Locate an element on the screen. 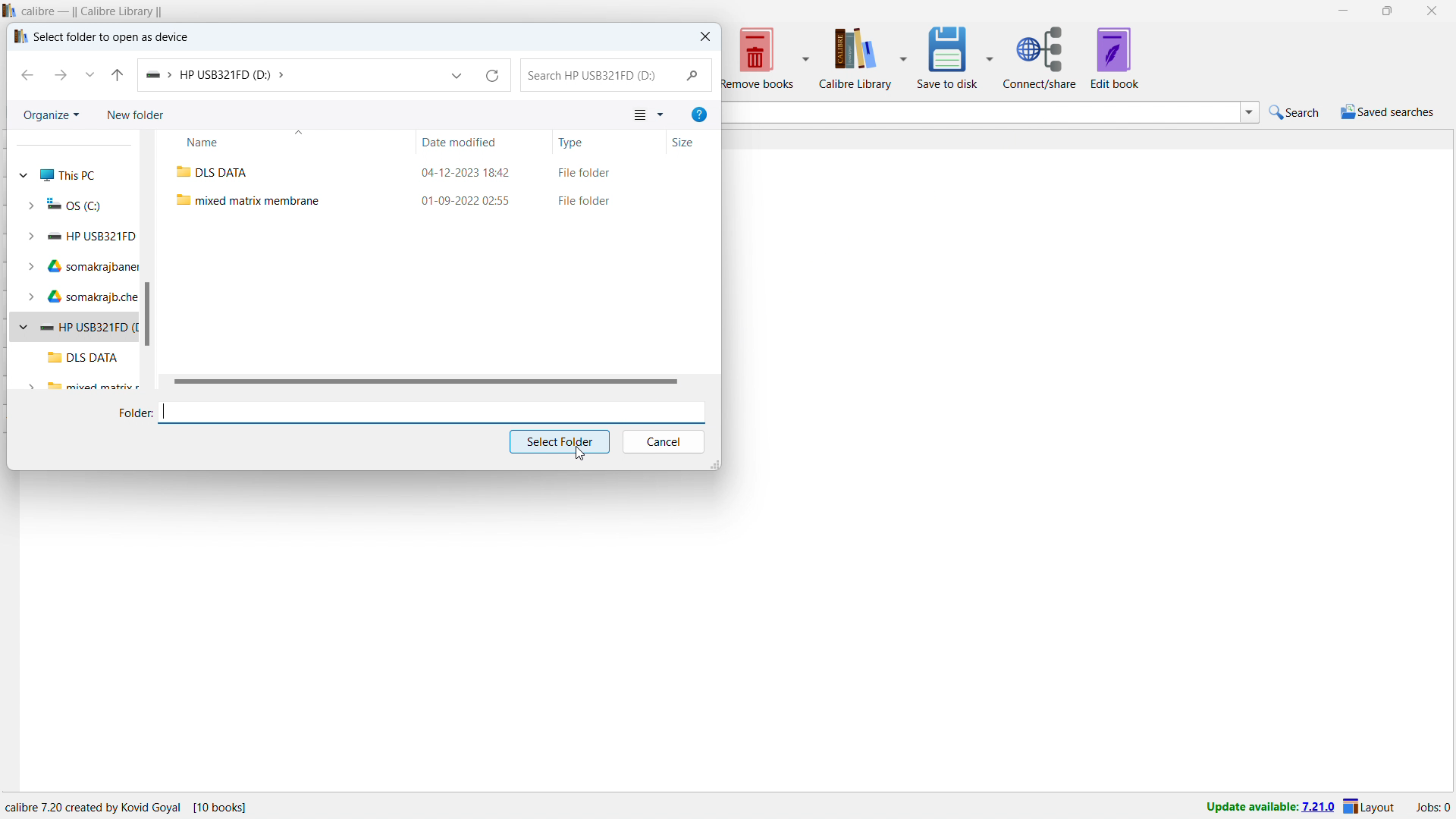   is located at coordinates (855, 58).